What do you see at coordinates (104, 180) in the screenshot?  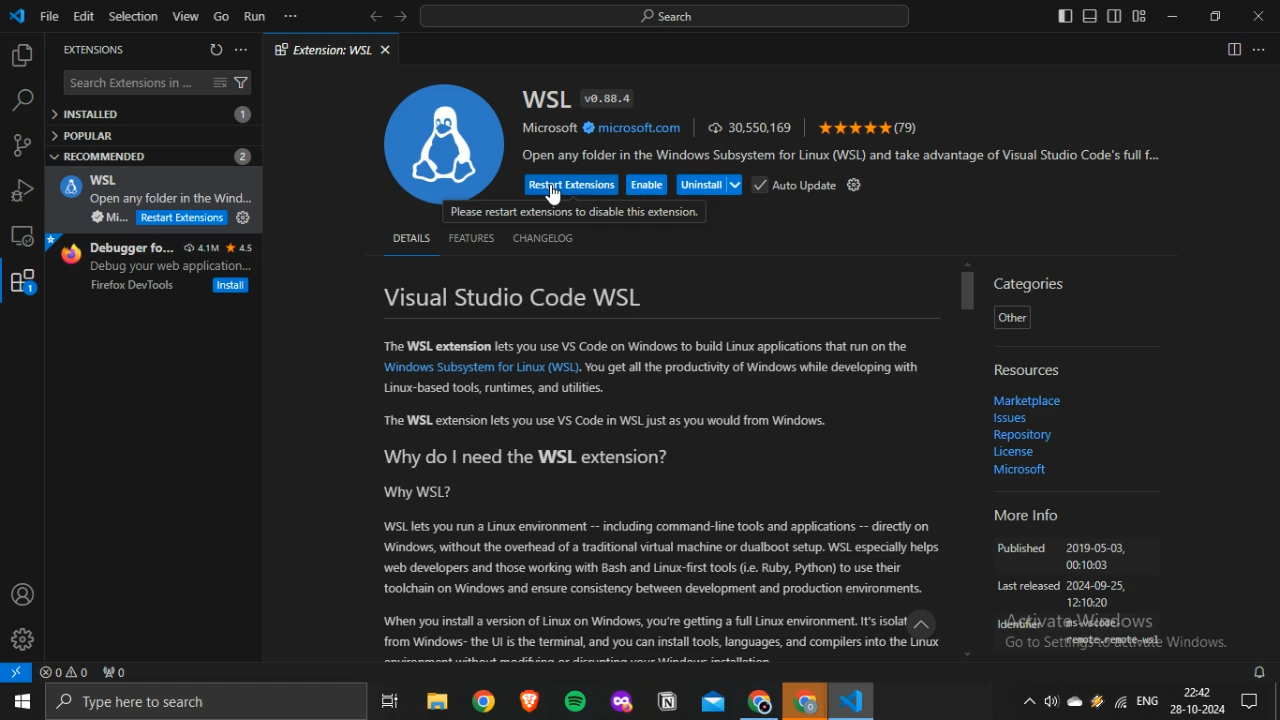 I see `WSL` at bounding box center [104, 180].